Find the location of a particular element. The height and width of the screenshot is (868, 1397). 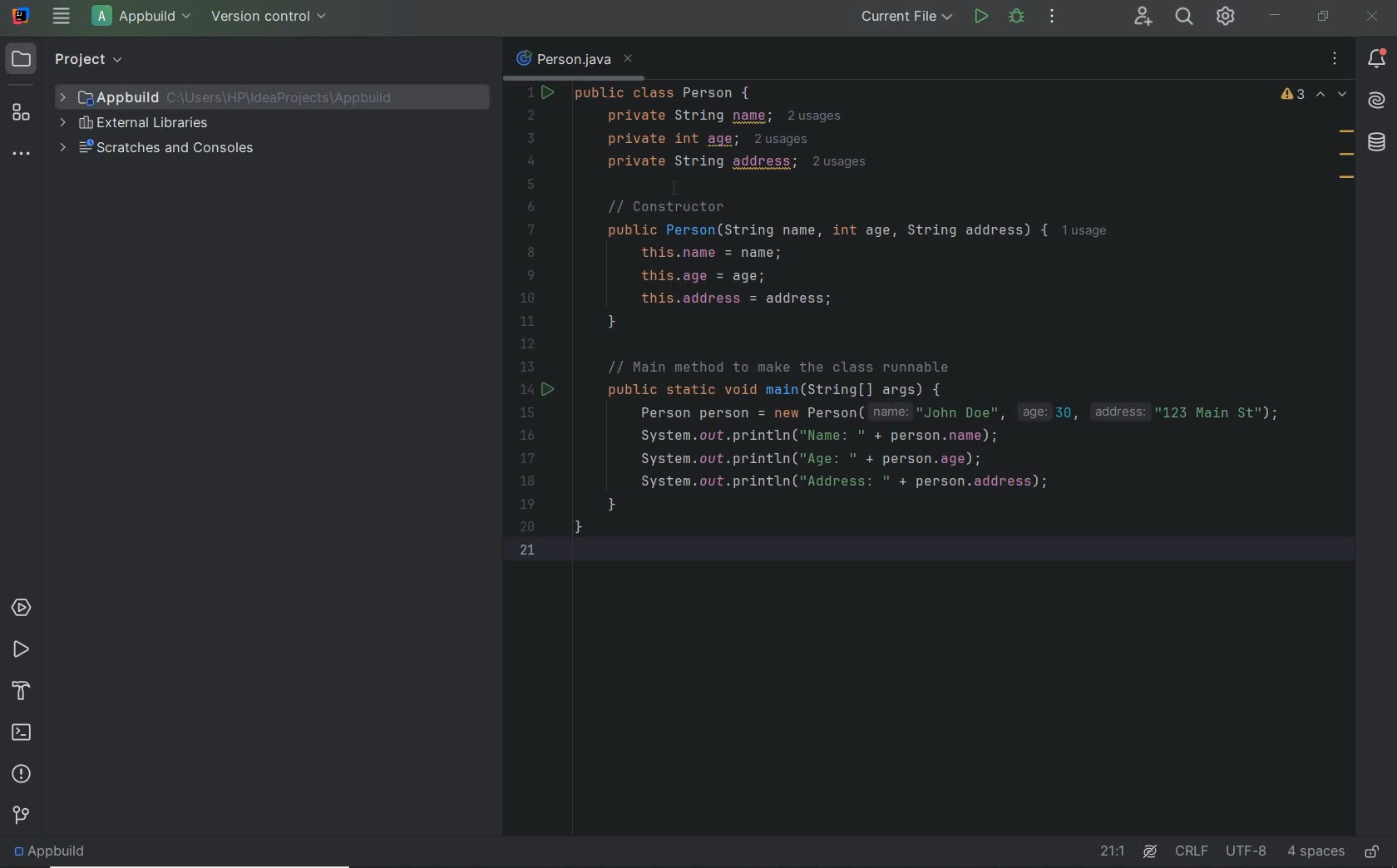

debug is located at coordinates (1015, 17).